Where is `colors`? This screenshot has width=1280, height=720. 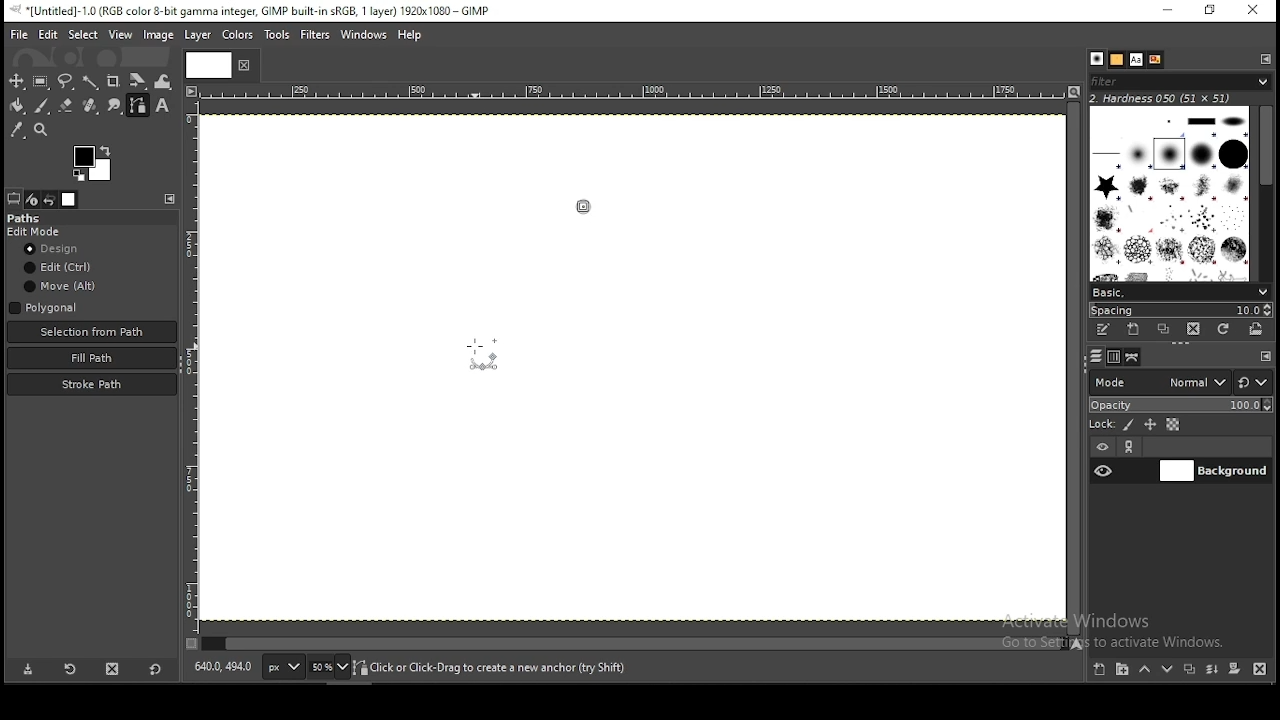 colors is located at coordinates (238, 33).